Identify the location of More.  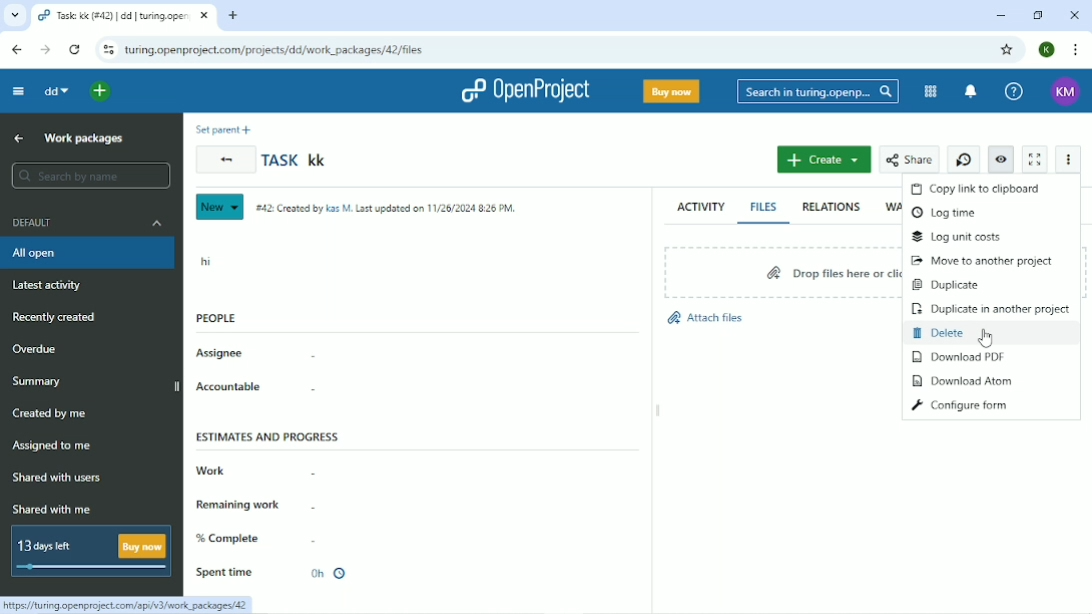
(1071, 161).